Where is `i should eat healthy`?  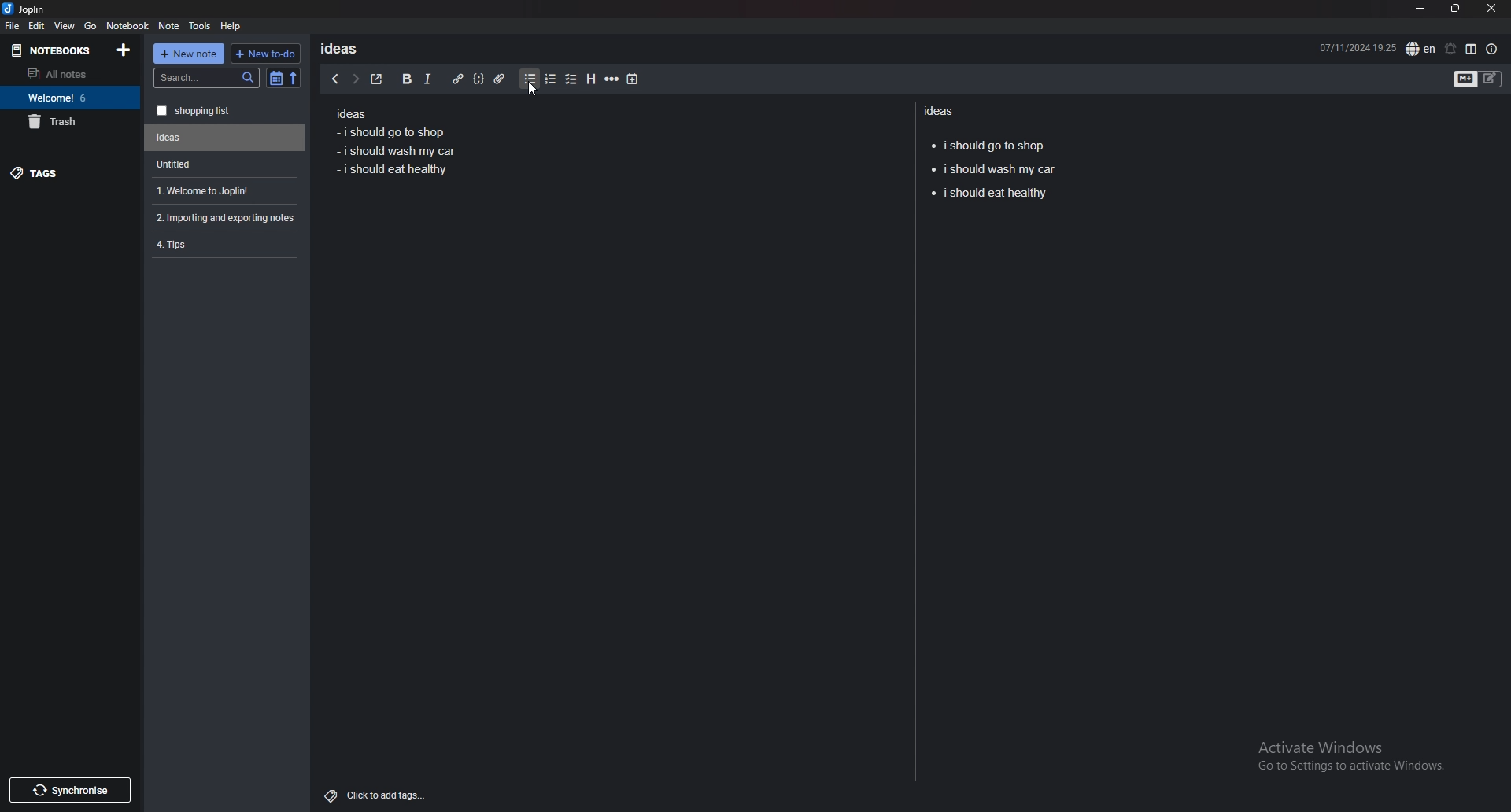 i should eat healthy is located at coordinates (393, 175).